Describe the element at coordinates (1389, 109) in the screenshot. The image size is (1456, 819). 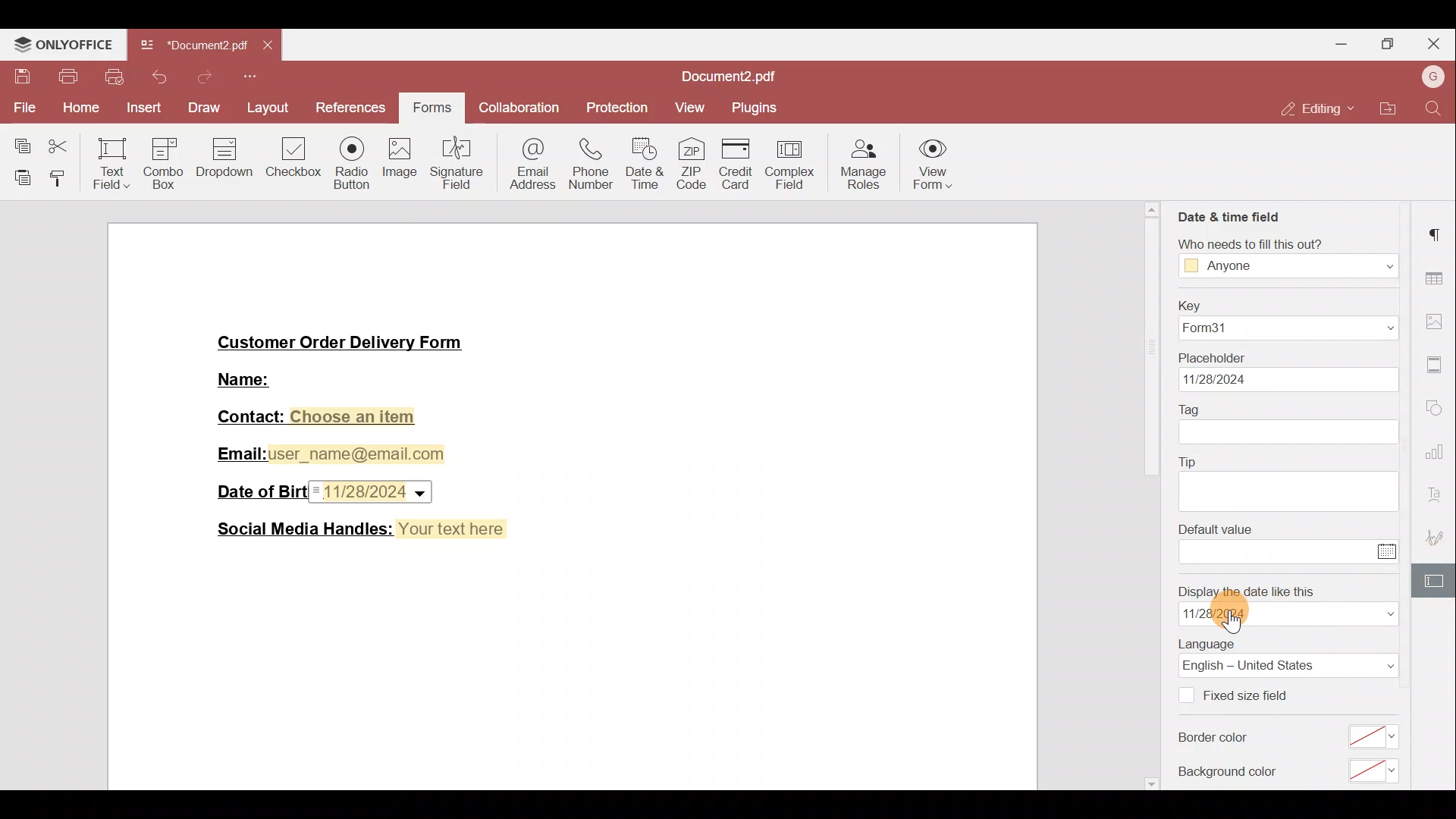
I see `Open file location` at that location.